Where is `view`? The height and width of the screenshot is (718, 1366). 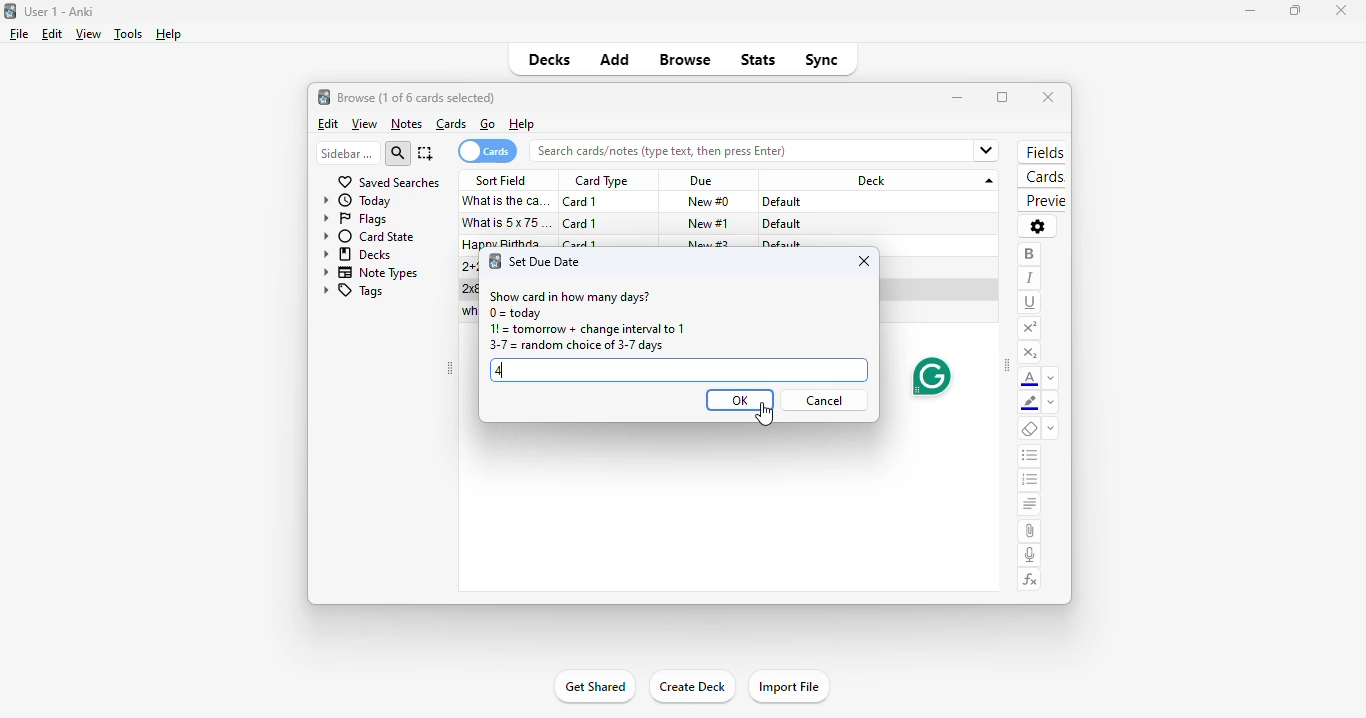 view is located at coordinates (364, 124).